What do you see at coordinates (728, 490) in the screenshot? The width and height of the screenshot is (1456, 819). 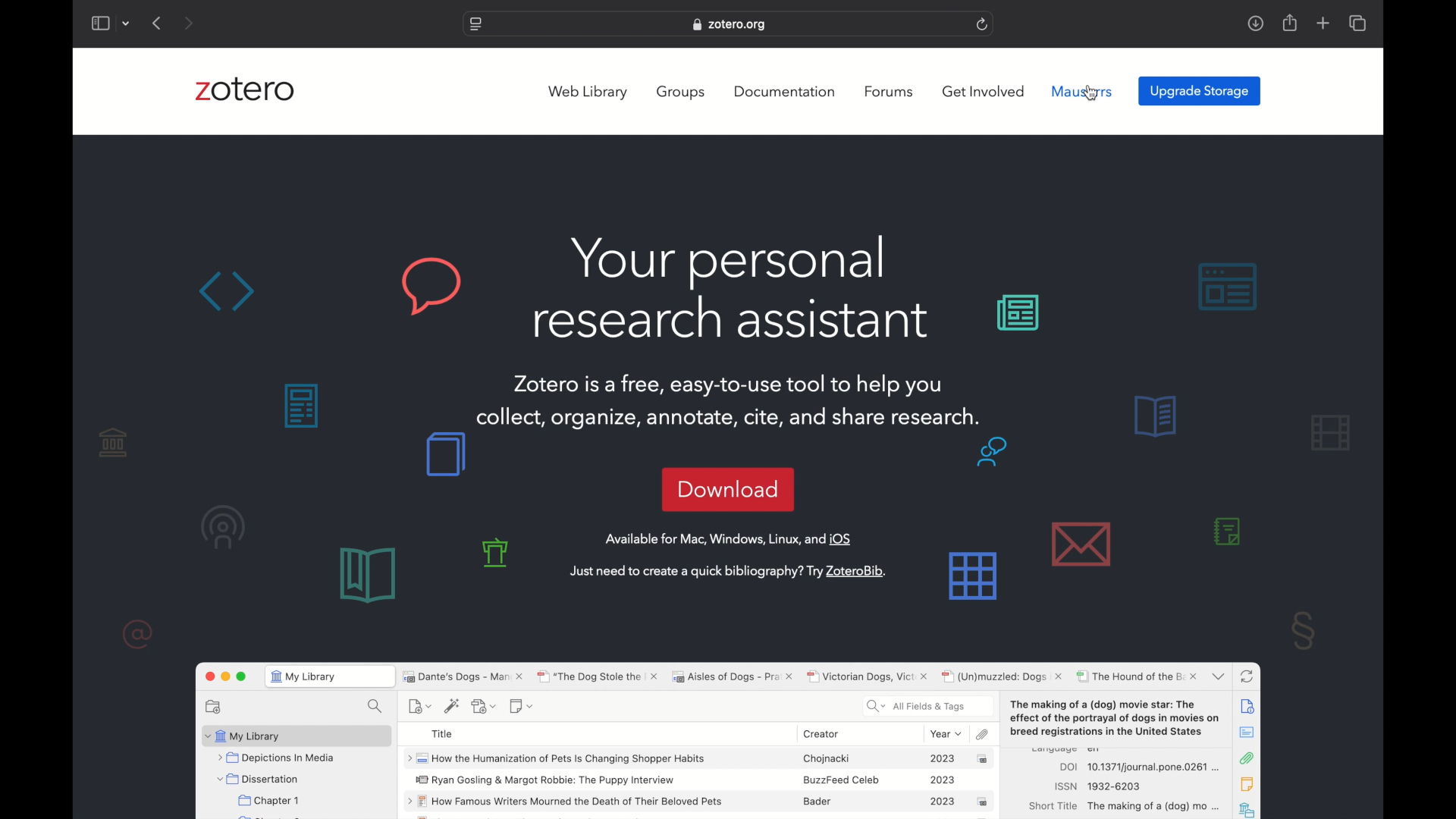 I see `download` at bounding box center [728, 490].